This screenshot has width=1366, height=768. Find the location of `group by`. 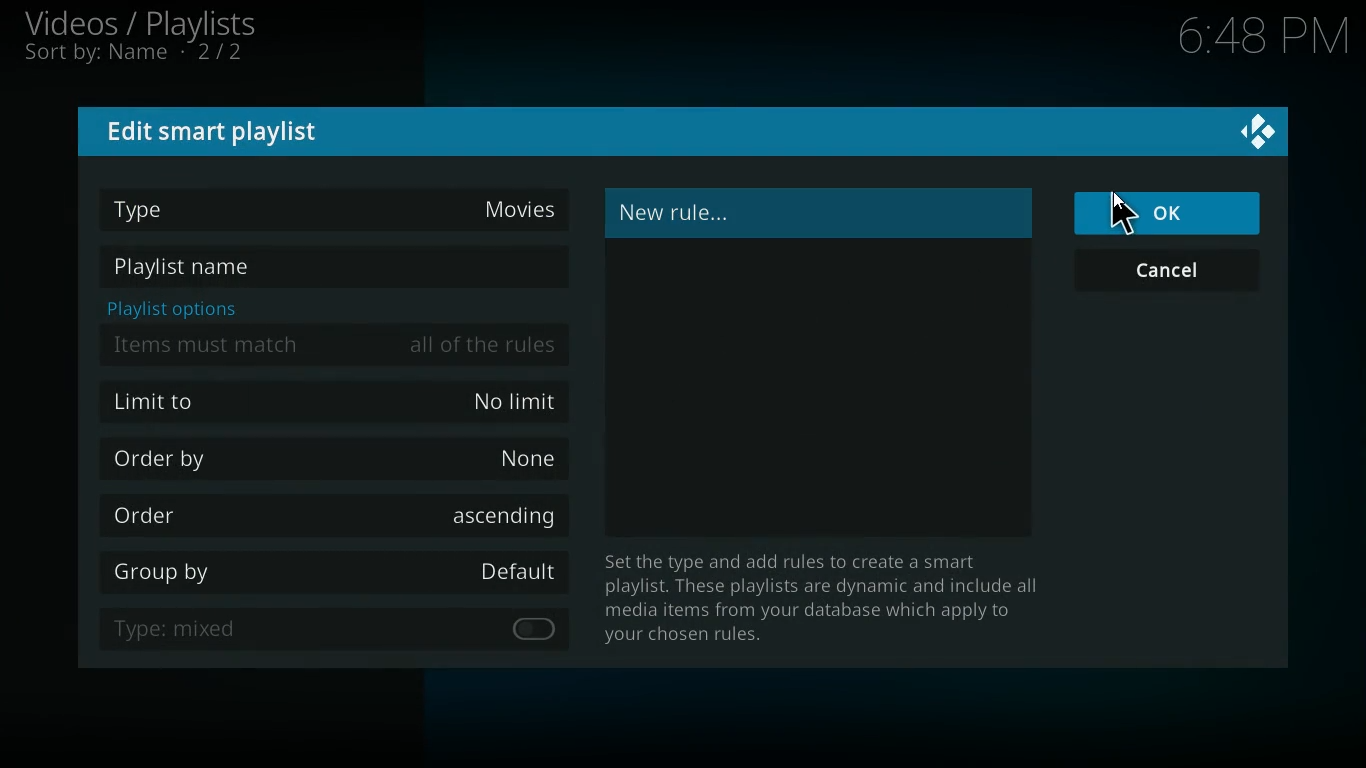

group by is located at coordinates (332, 575).